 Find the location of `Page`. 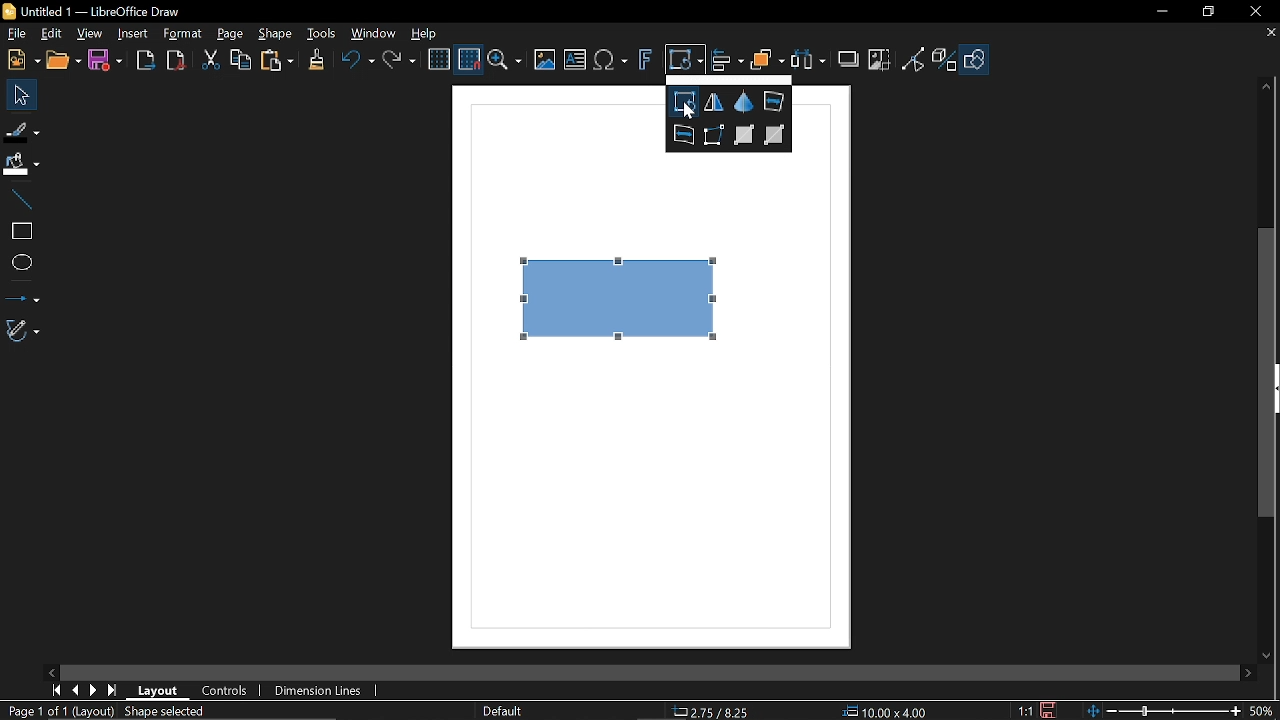

Page is located at coordinates (230, 33).